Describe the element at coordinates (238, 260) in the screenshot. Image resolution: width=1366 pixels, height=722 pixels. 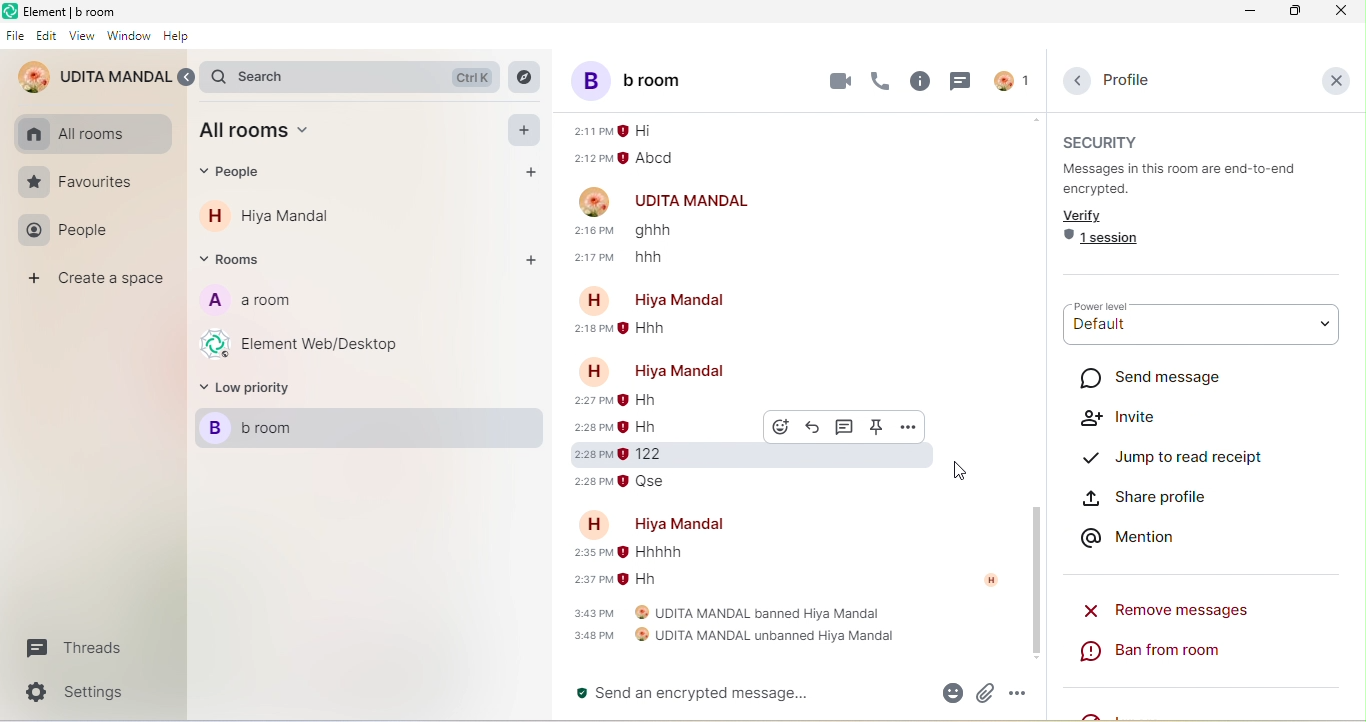
I see `rooms` at that location.